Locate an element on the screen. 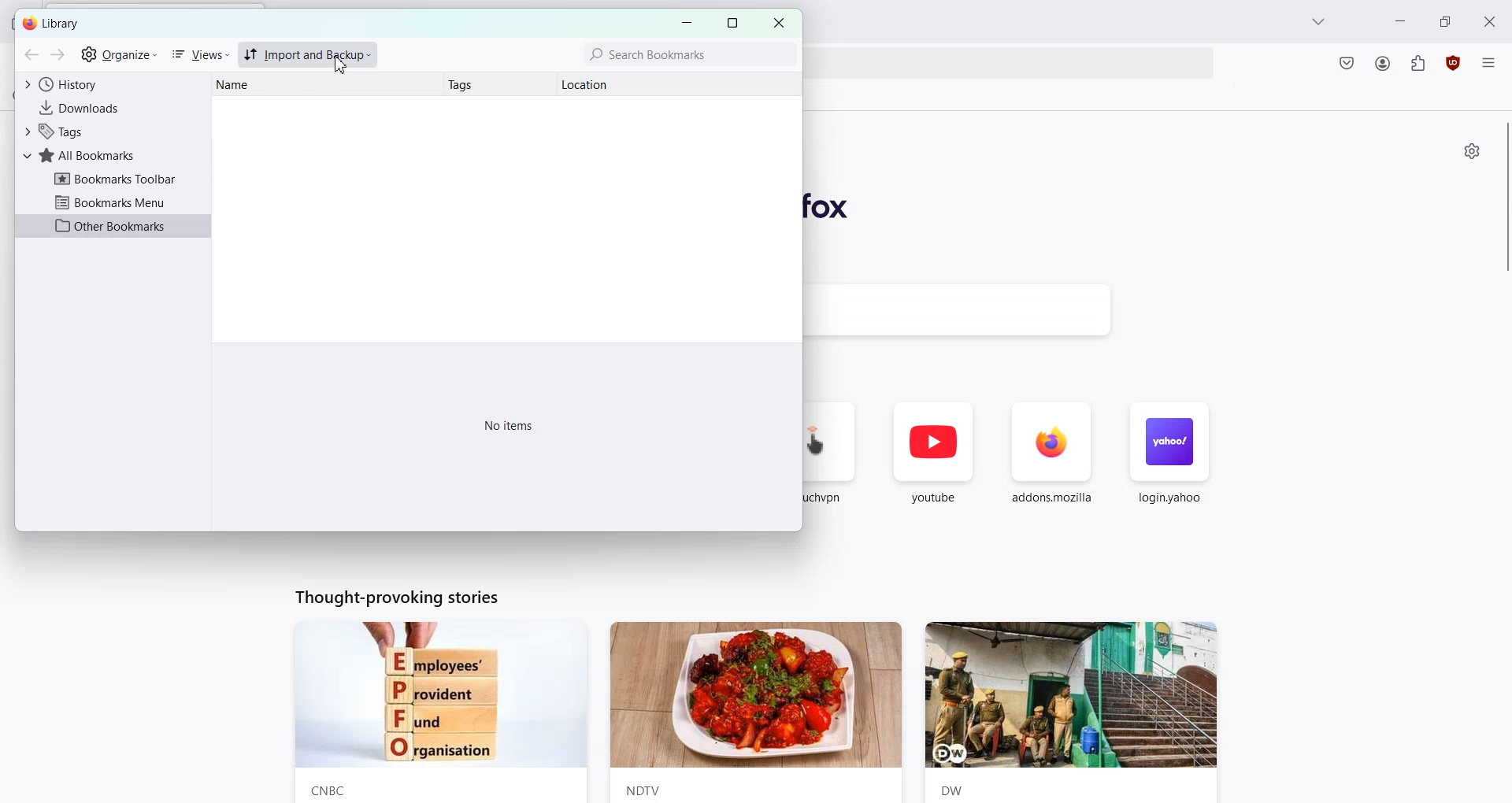 This screenshot has width=1512, height=803. Text is located at coordinates (53, 24).